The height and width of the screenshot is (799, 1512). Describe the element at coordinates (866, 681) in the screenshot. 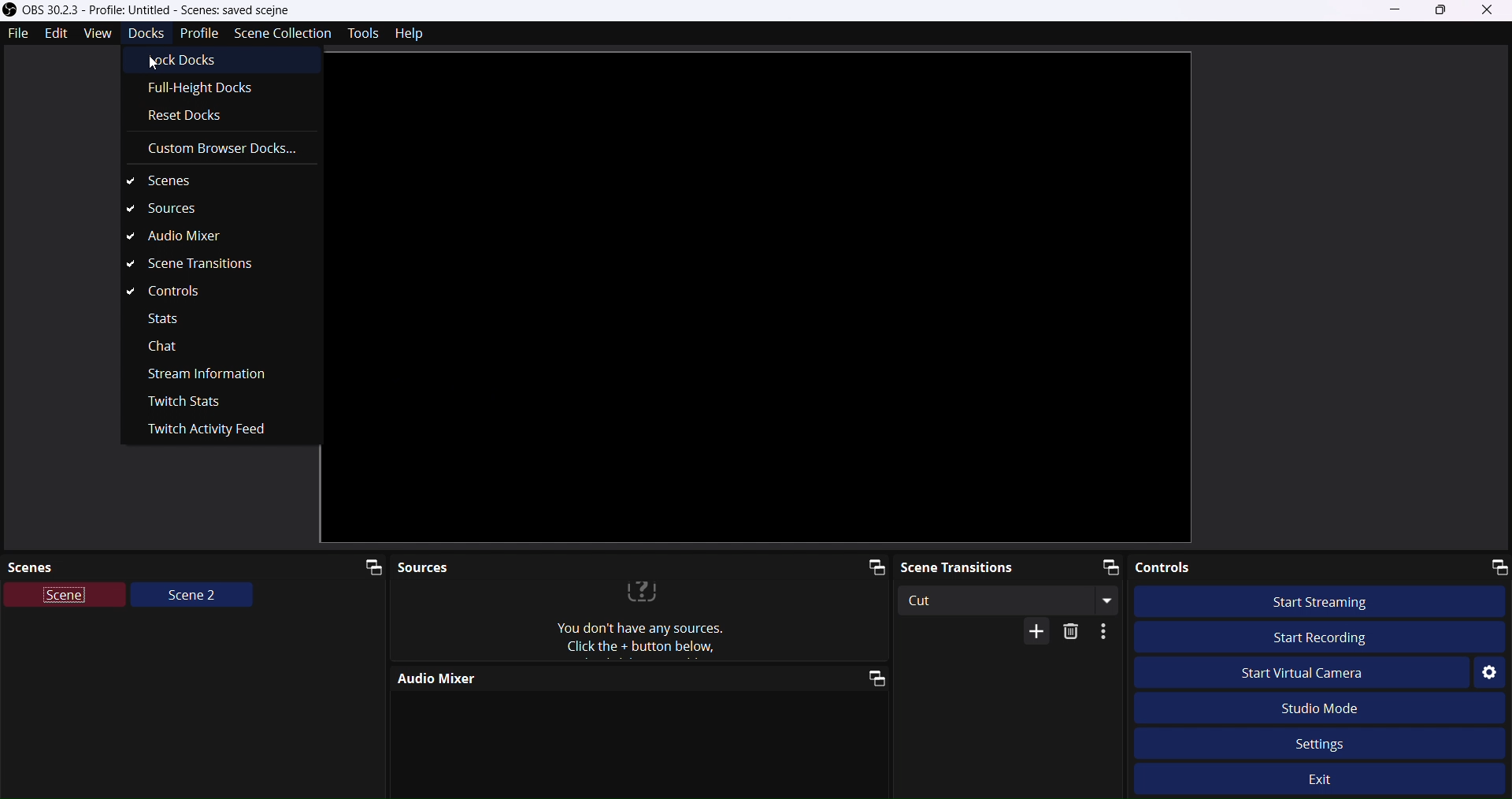

I see `dock panel` at that location.